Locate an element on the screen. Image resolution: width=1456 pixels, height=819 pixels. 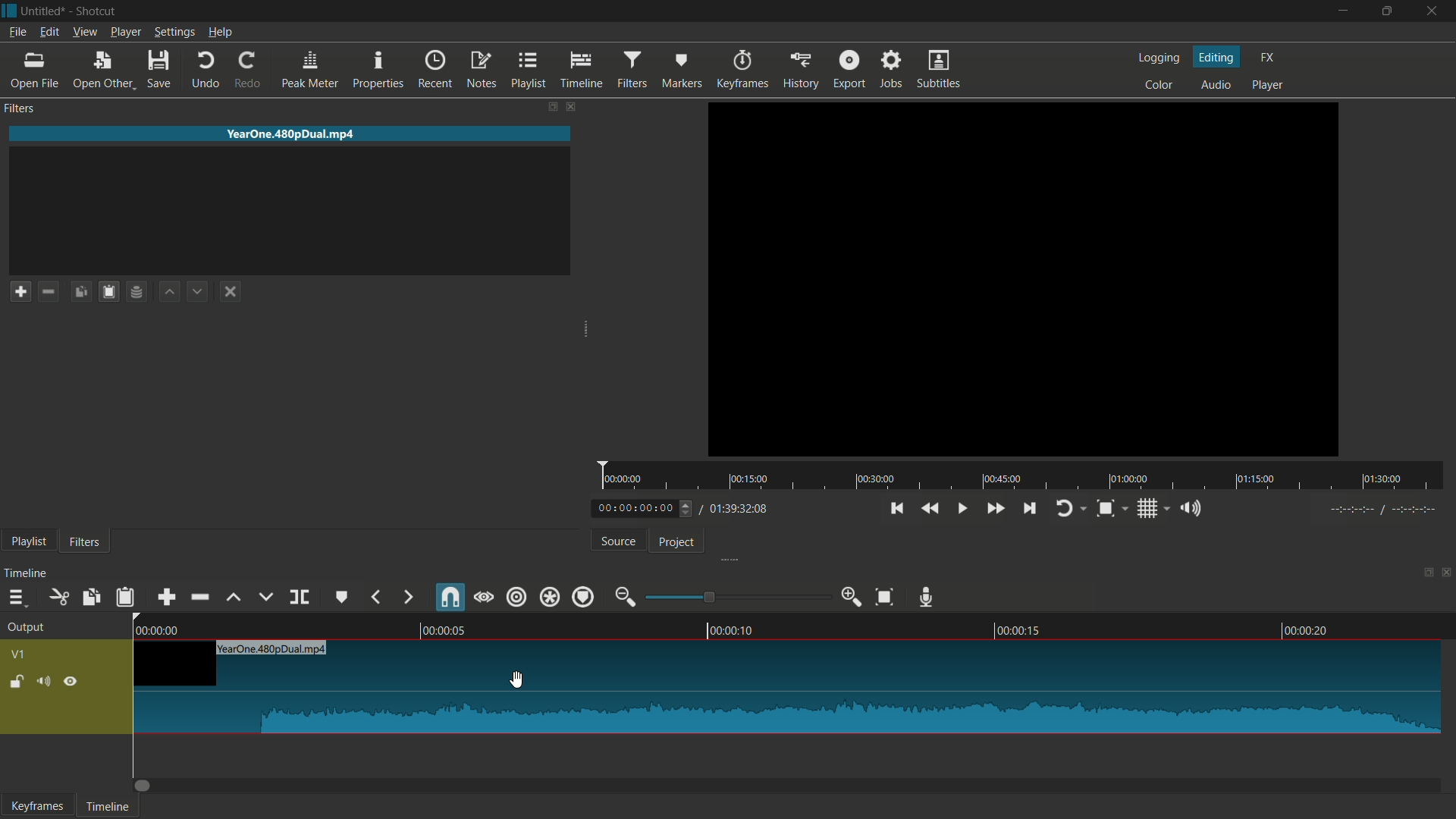
lock is located at coordinates (12, 679).